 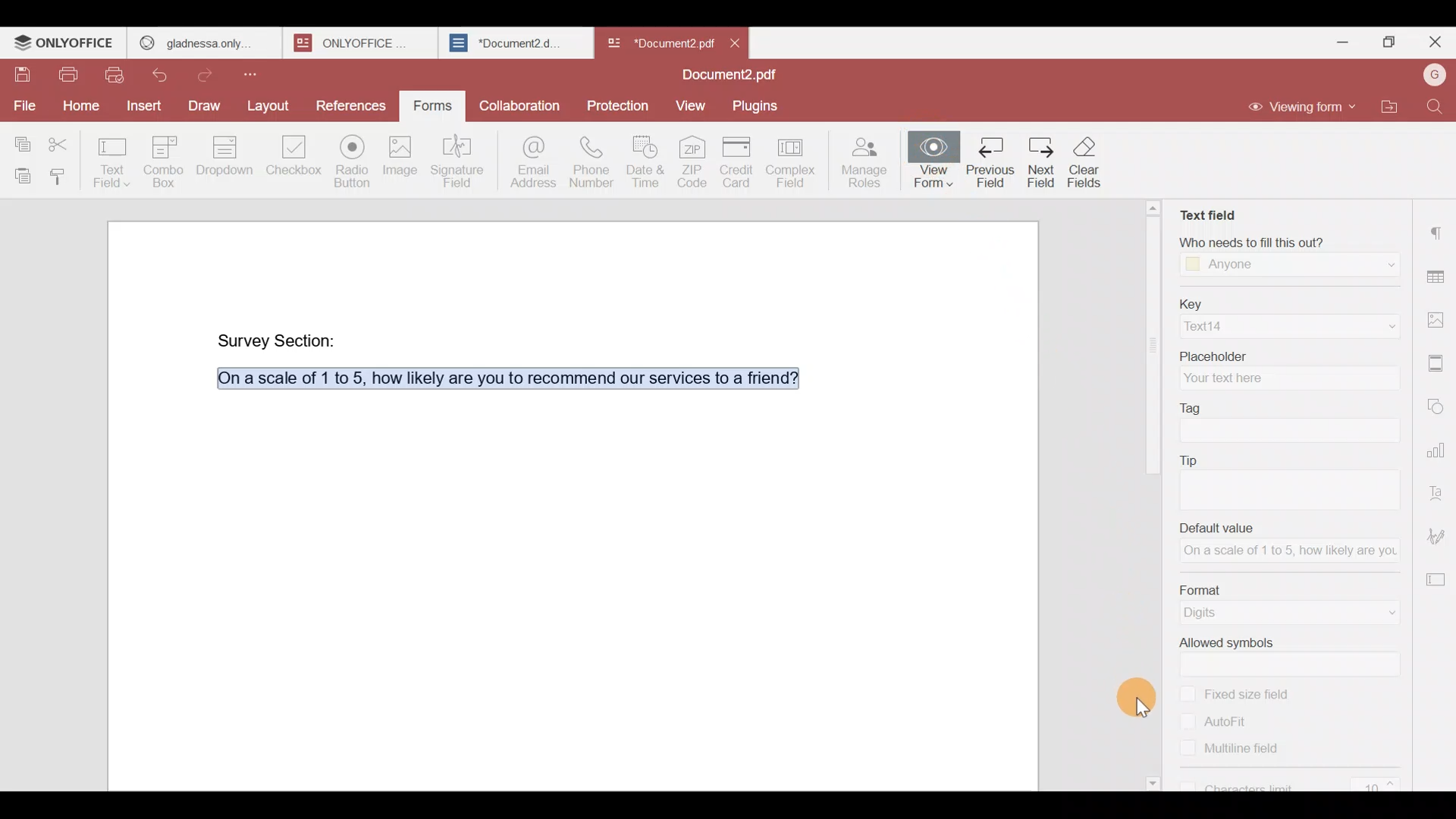 I want to click on Phone number, so click(x=593, y=161).